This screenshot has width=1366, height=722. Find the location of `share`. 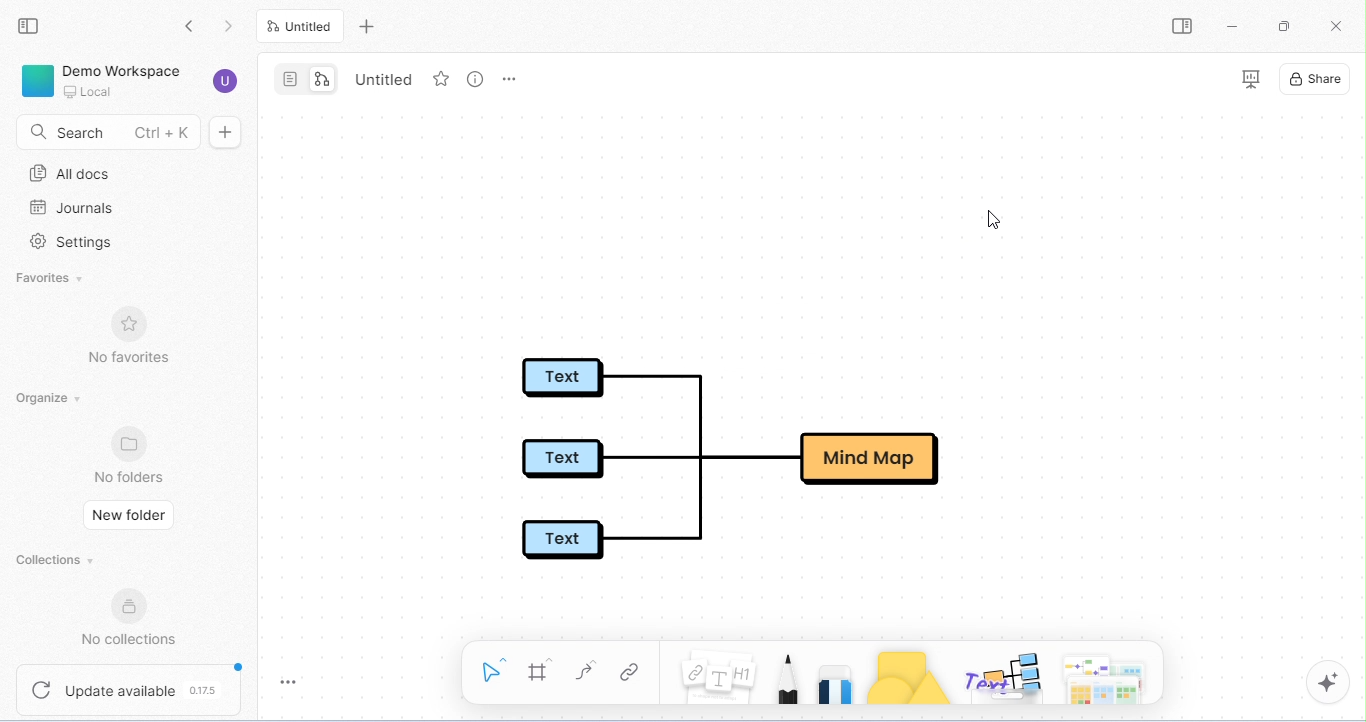

share is located at coordinates (1316, 79).